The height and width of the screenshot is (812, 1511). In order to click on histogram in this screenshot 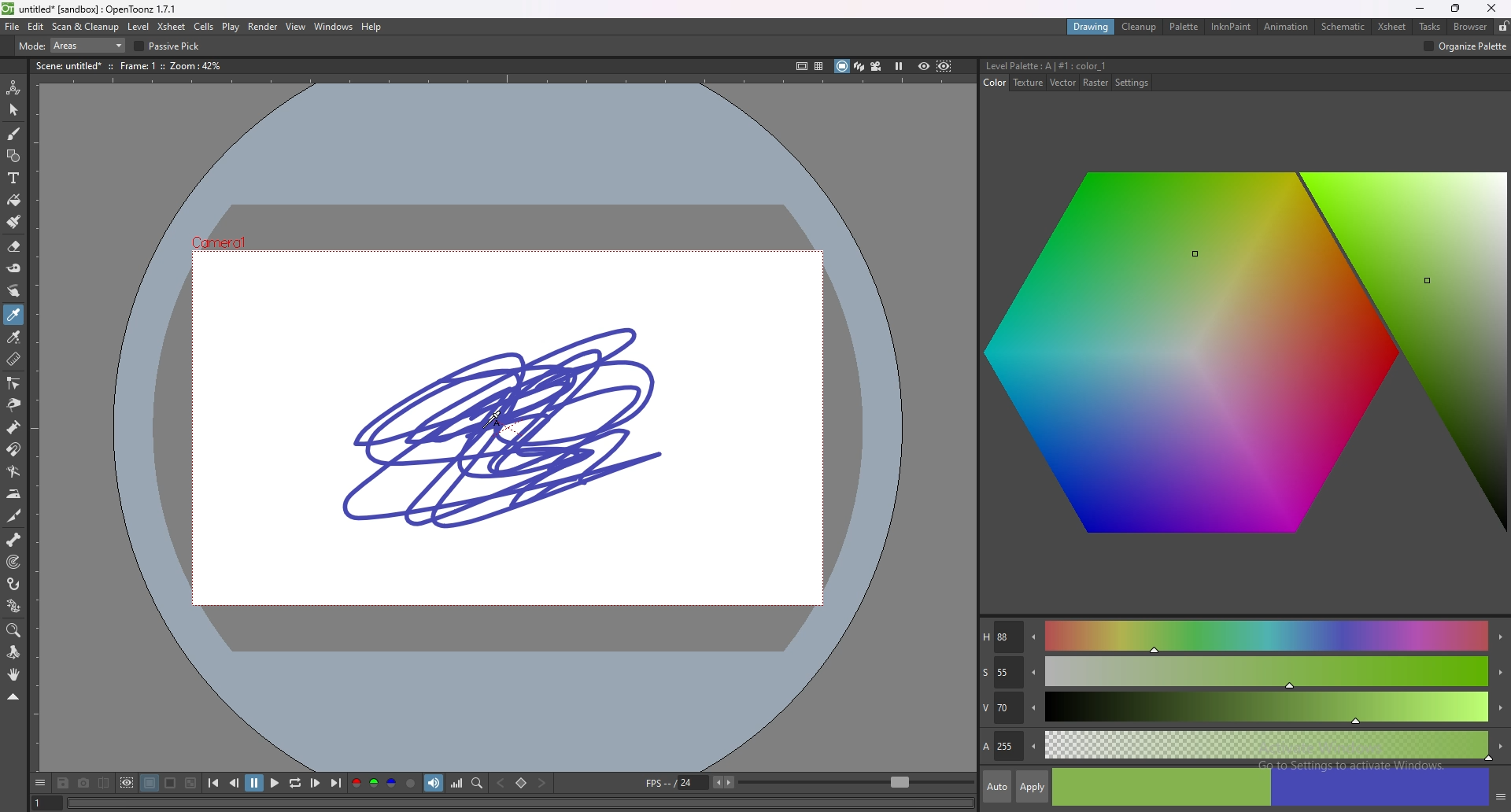, I will do `click(456, 783)`.